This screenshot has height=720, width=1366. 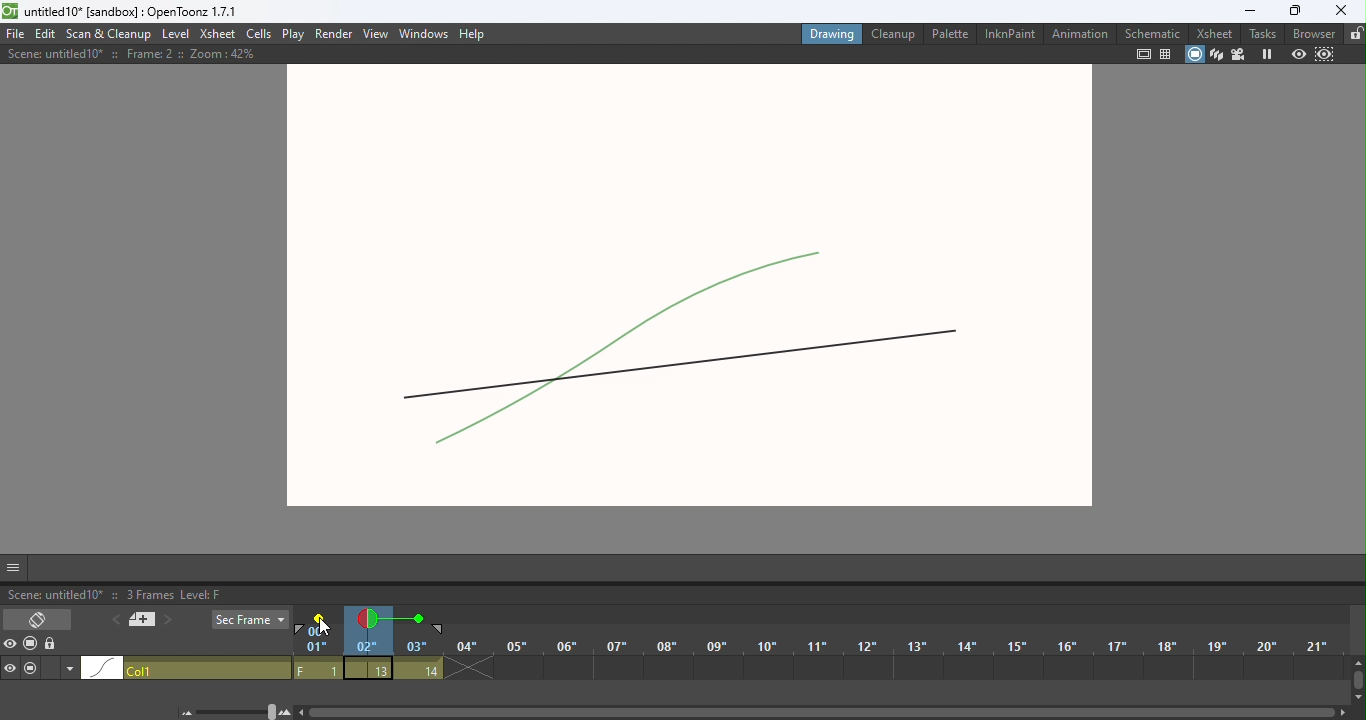 I want to click on Scene: untitled10* :: Frame: 2 :: Zoom: 42%, so click(x=130, y=54).